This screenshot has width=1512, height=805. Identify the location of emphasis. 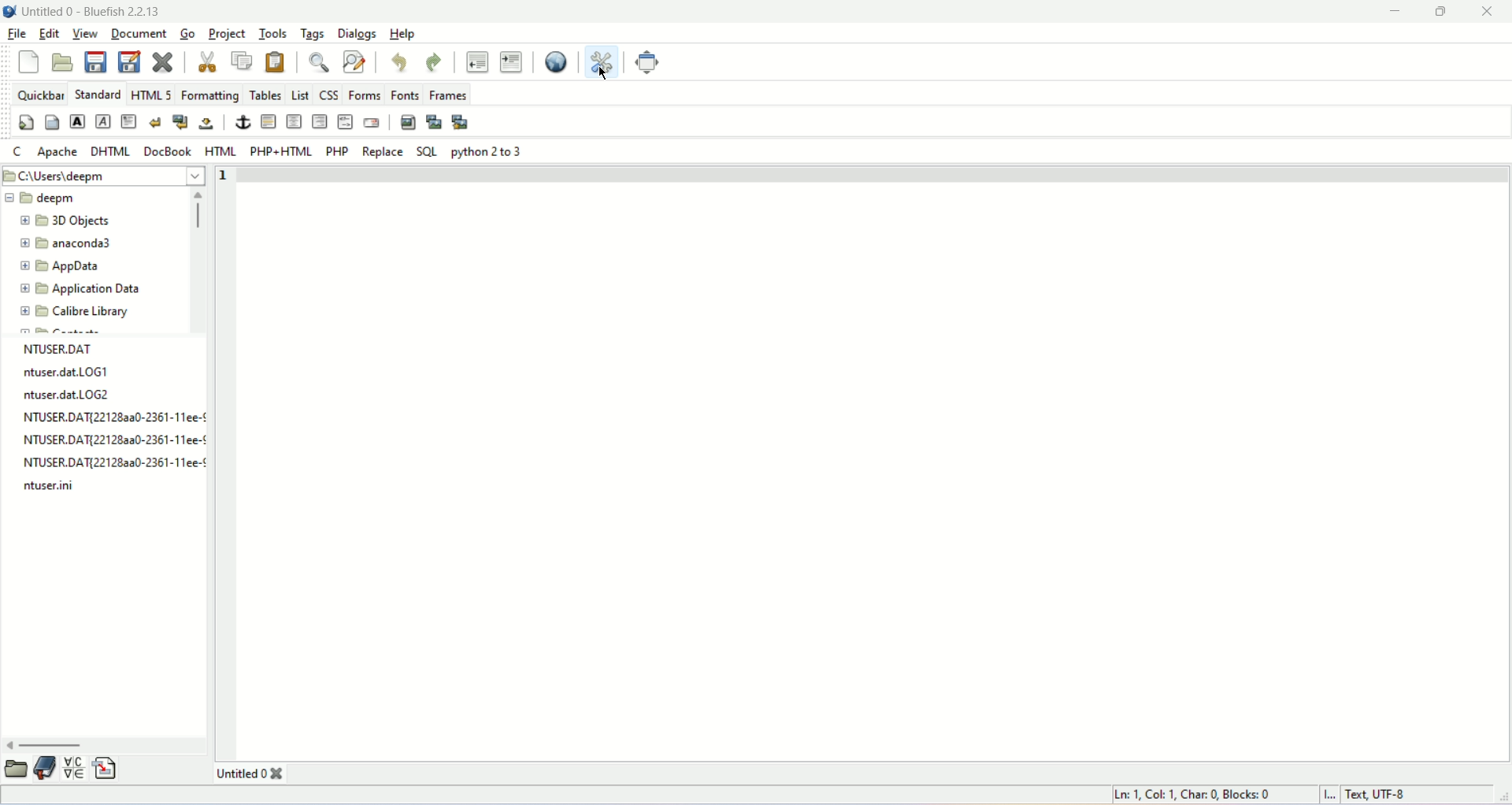
(101, 122).